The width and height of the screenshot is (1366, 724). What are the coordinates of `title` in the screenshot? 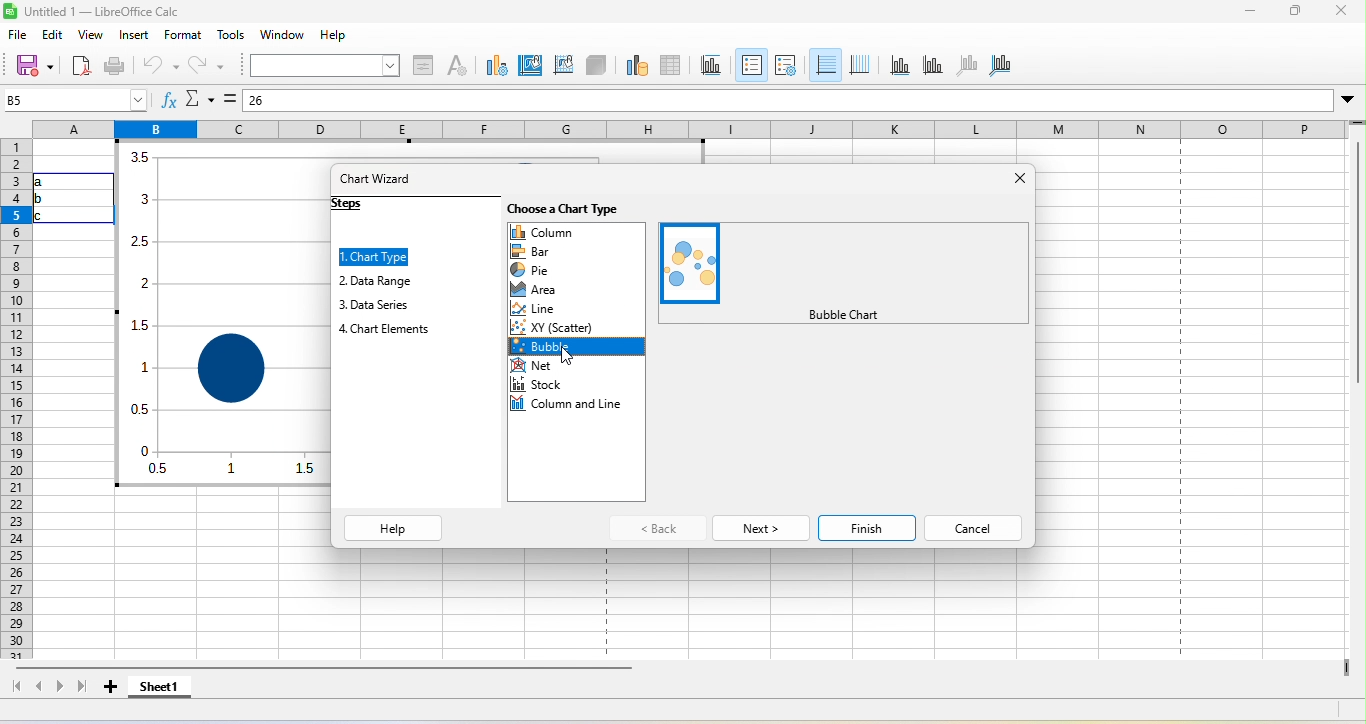 It's located at (96, 12).